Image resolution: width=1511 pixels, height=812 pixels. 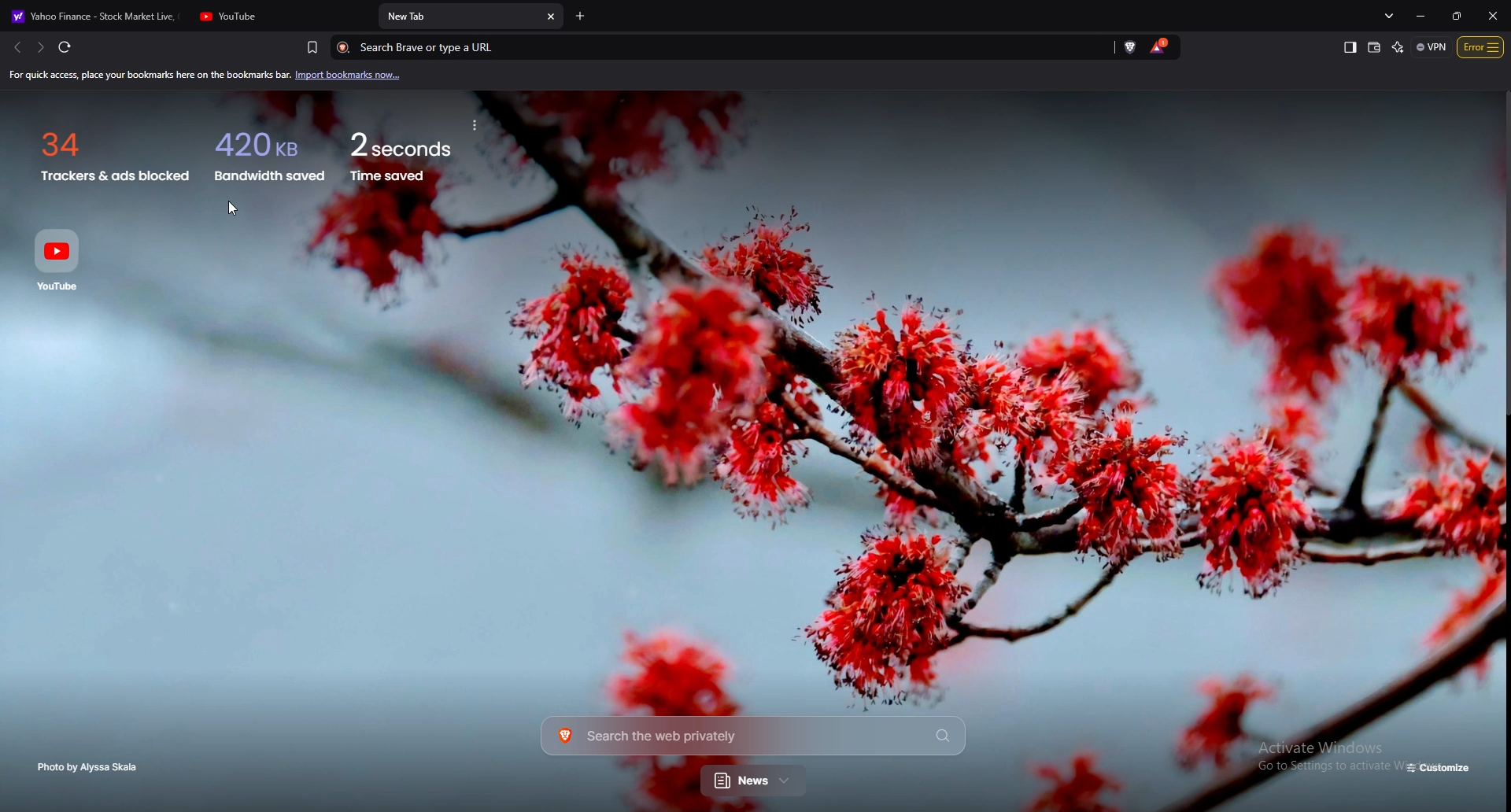 What do you see at coordinates (312, 46) in the screenshot?
I see `bookmark this tab` at bounding box center [312, 46].